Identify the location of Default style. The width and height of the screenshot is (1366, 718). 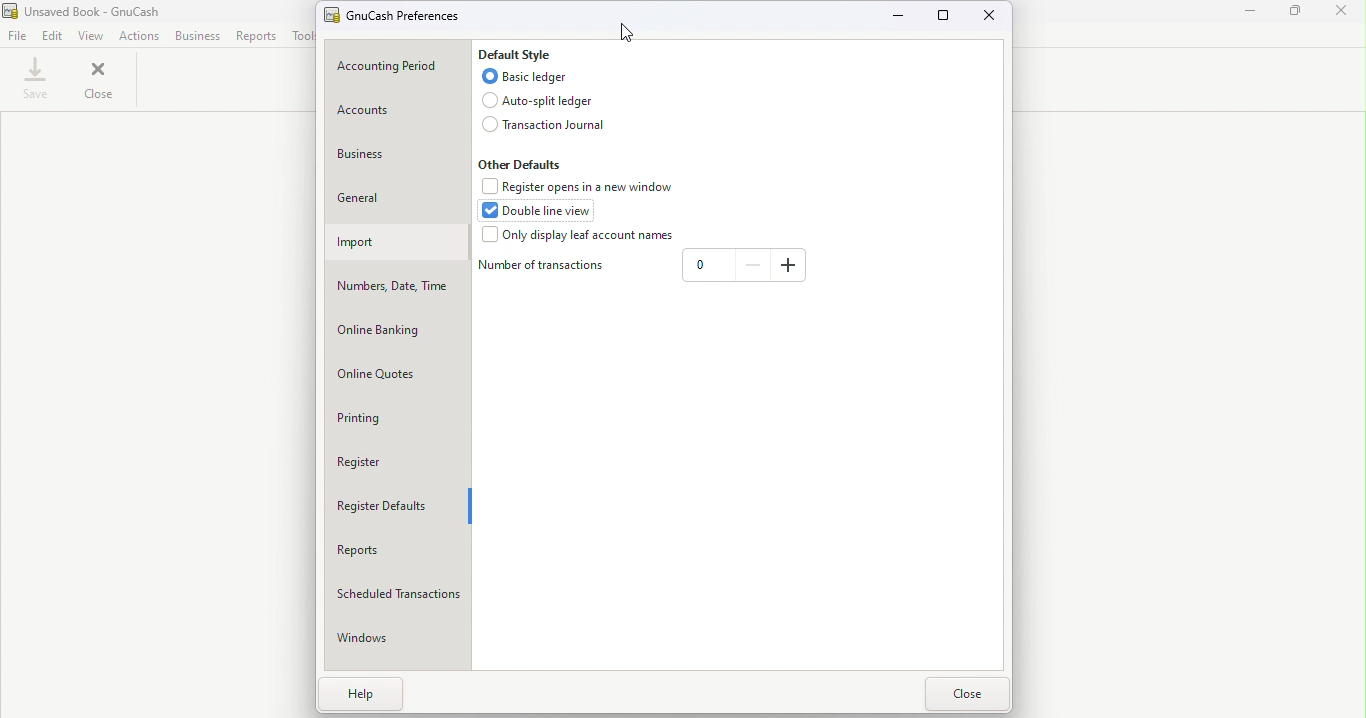
(521, 54).